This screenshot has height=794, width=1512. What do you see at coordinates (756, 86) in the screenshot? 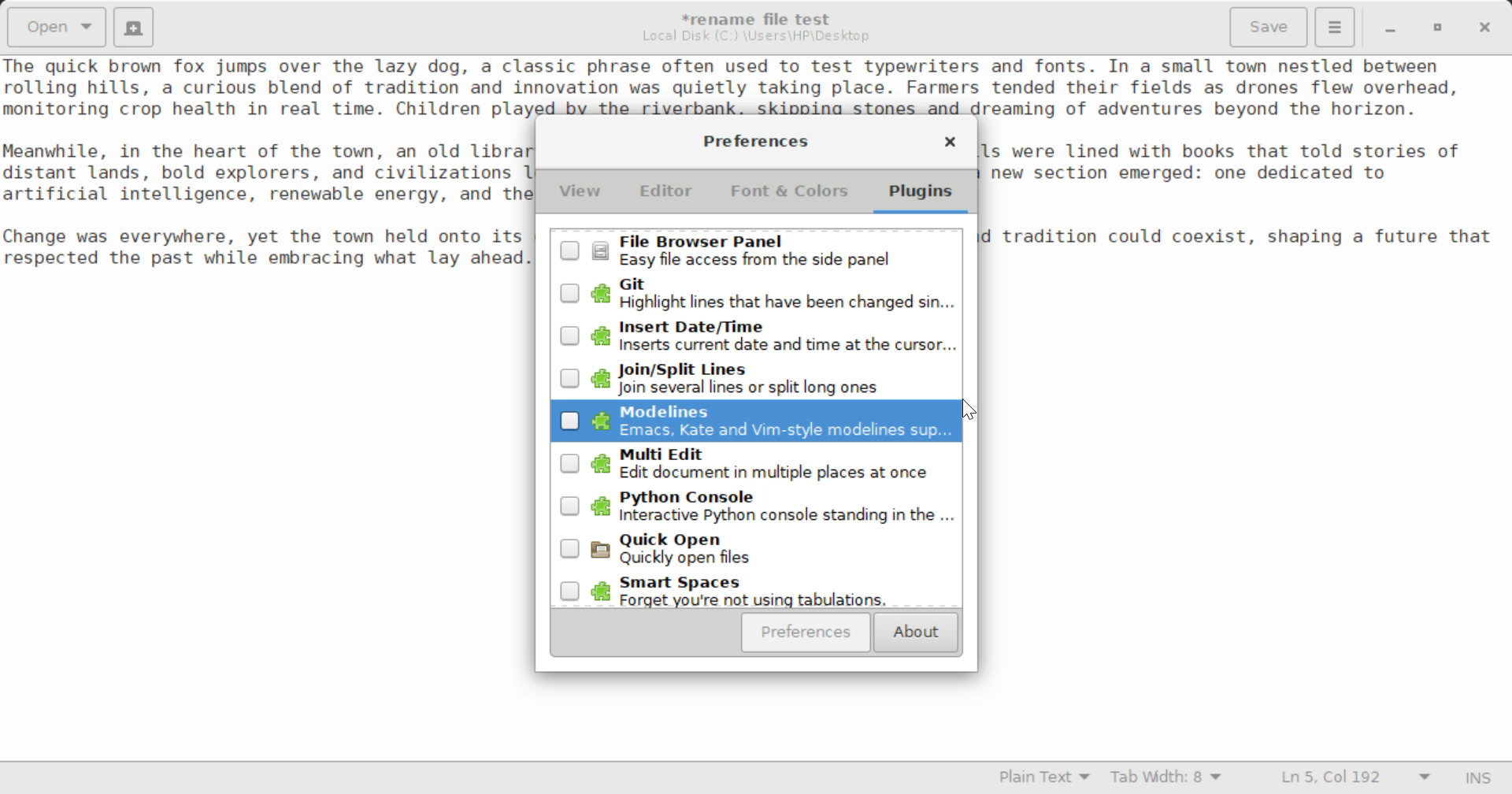
I see `Sample text about a charming town` at bounding box center [756, 86].